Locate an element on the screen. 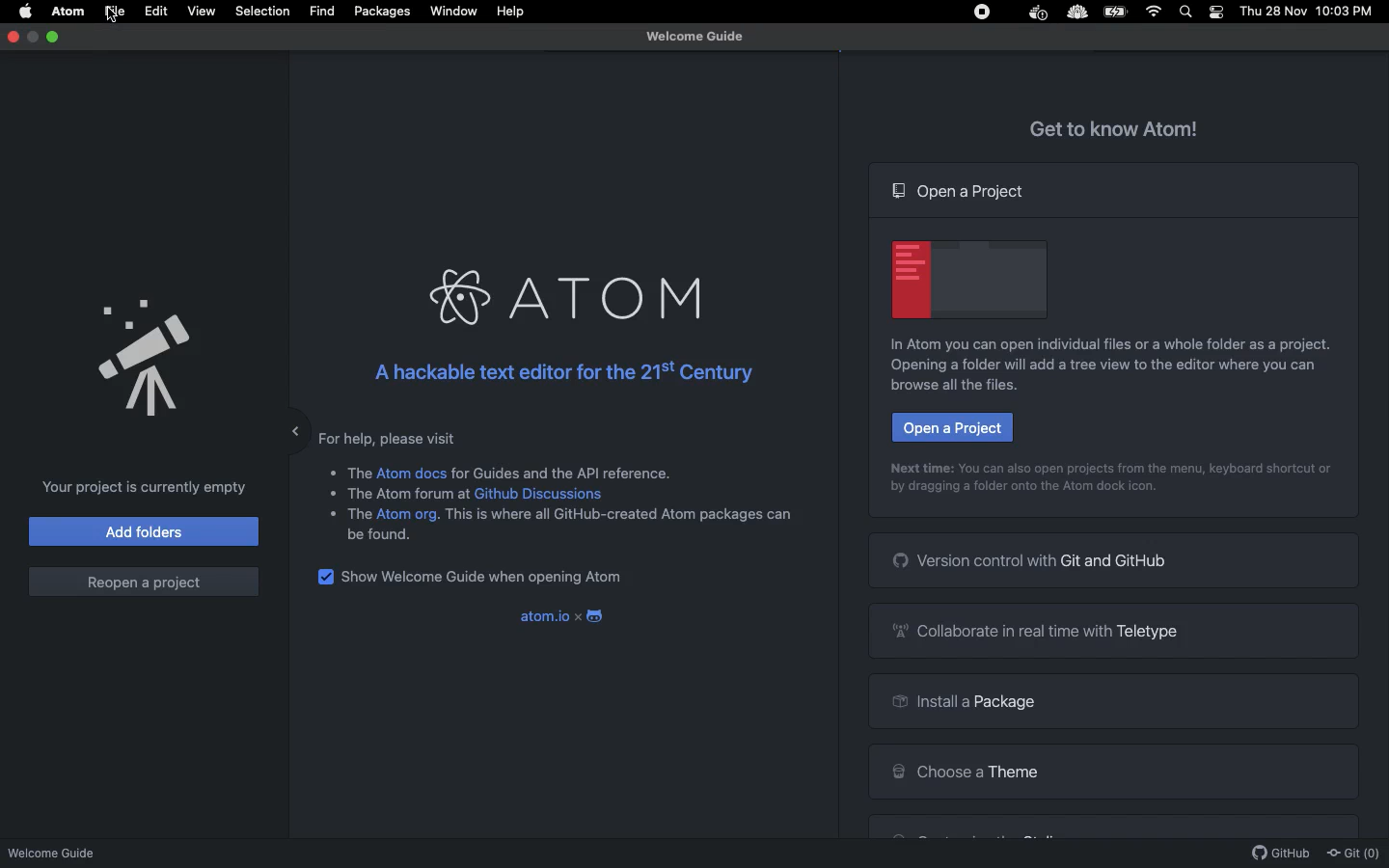 This screenshot has width=1389, height=868. Internet is located at coordinates (1156, 12).